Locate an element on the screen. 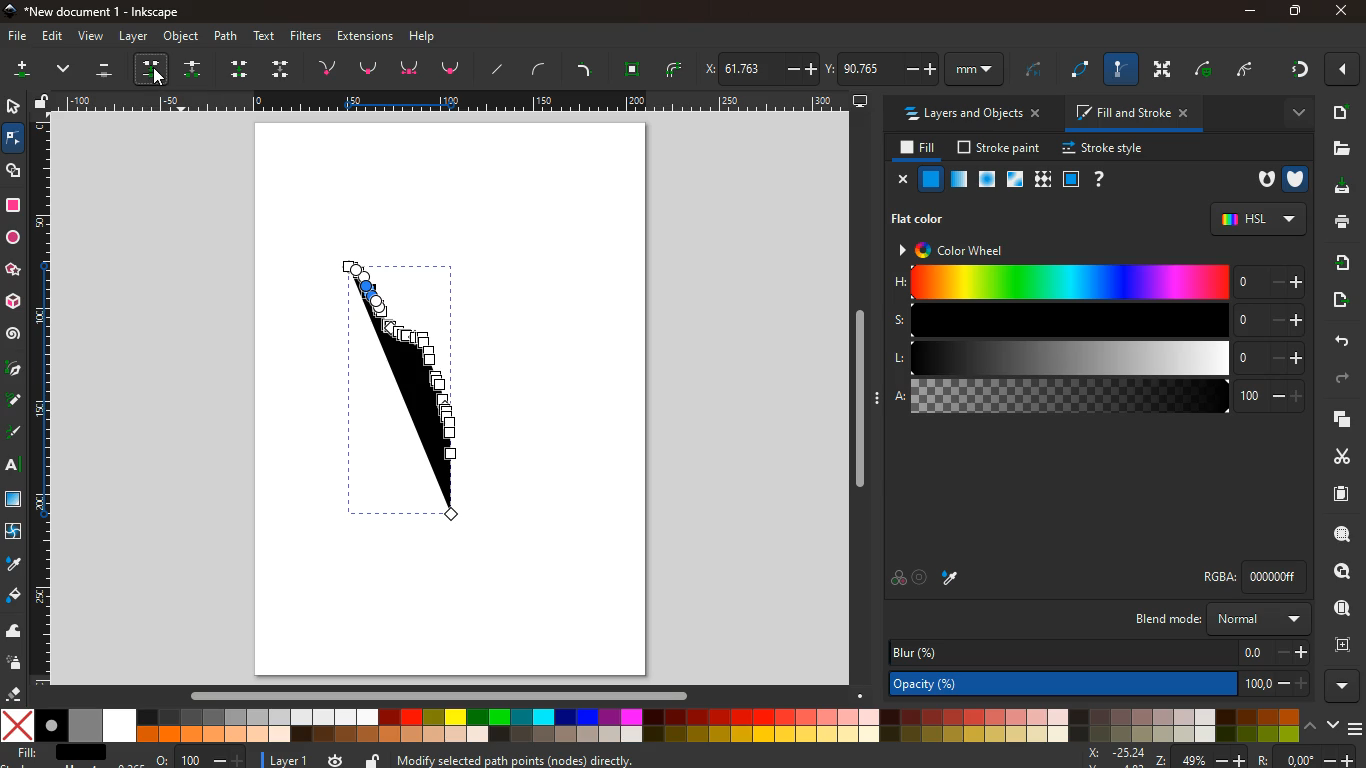  time is located at coordinates (336, 760).